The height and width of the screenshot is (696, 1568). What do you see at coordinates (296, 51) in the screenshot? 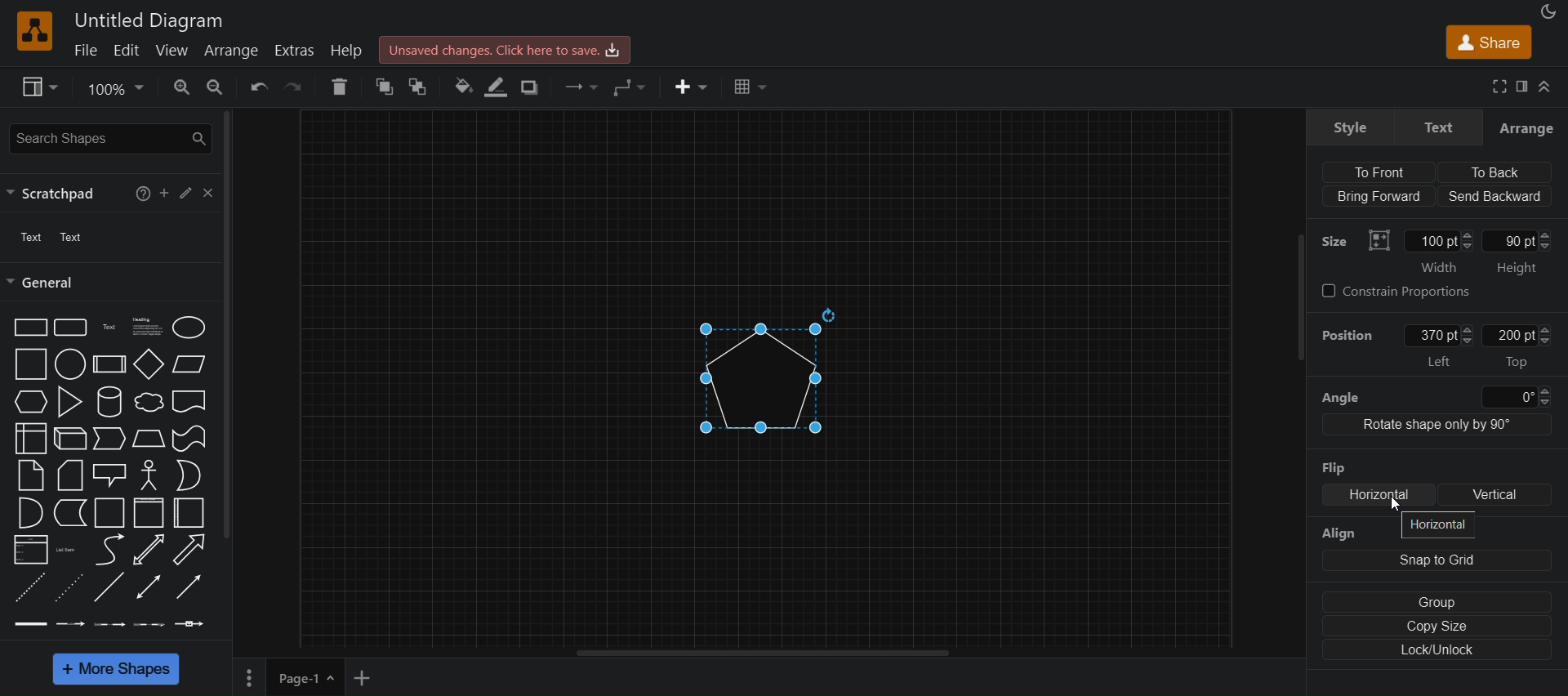
I see `extras` at bounding box center [296, 51].